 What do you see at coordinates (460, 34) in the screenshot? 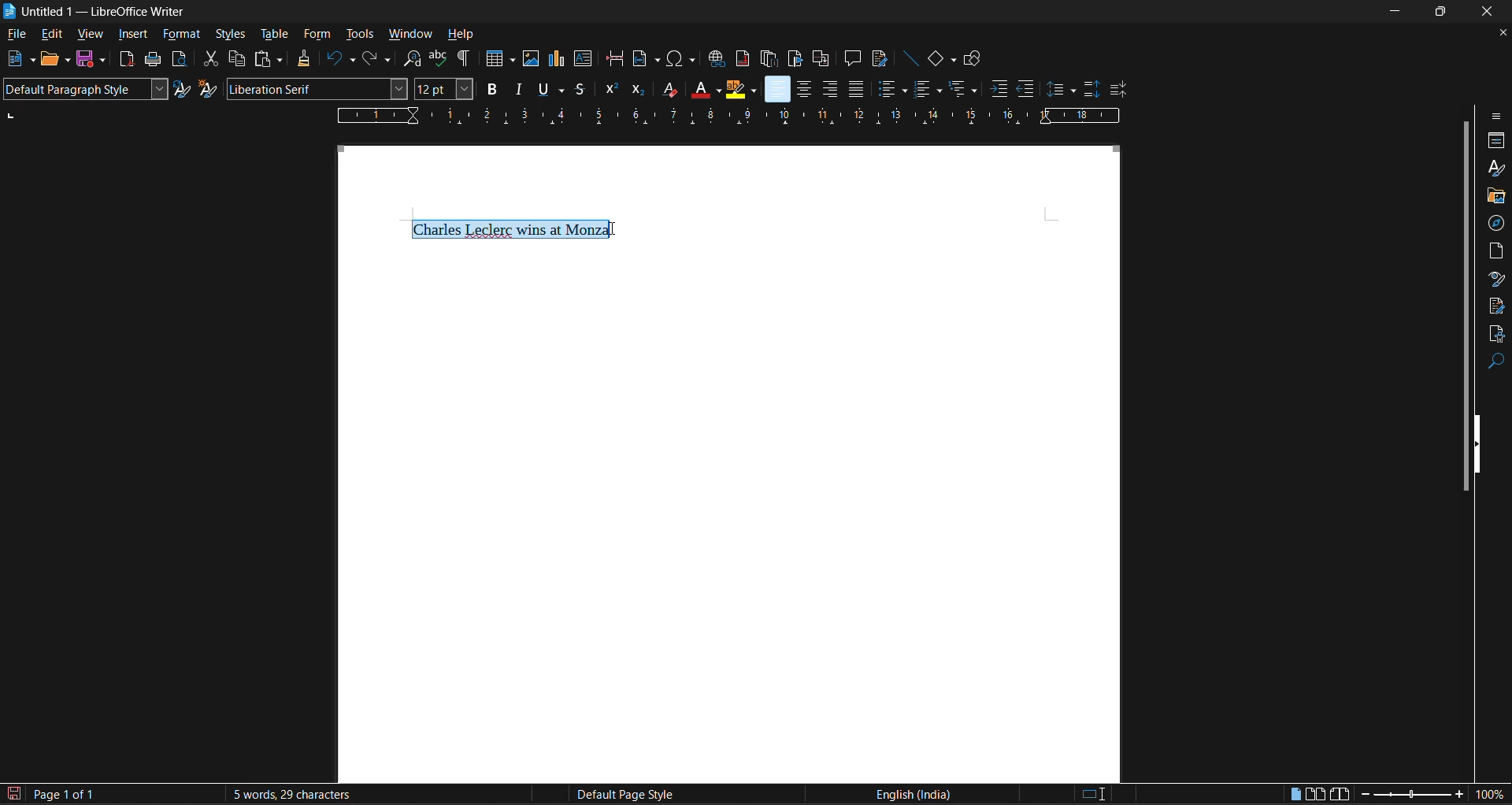
I see `help` at bounding box center [460, 34].